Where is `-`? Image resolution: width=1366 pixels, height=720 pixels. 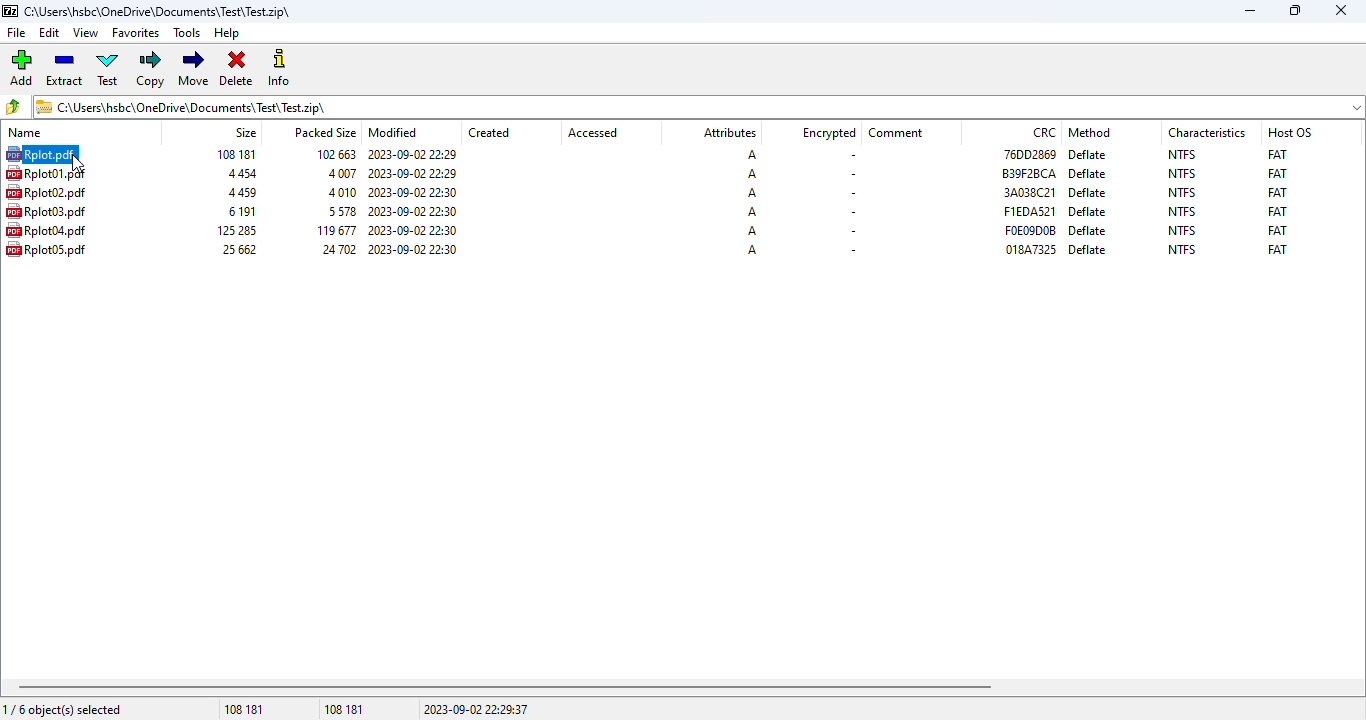
- is located at coordinates (850, 213).